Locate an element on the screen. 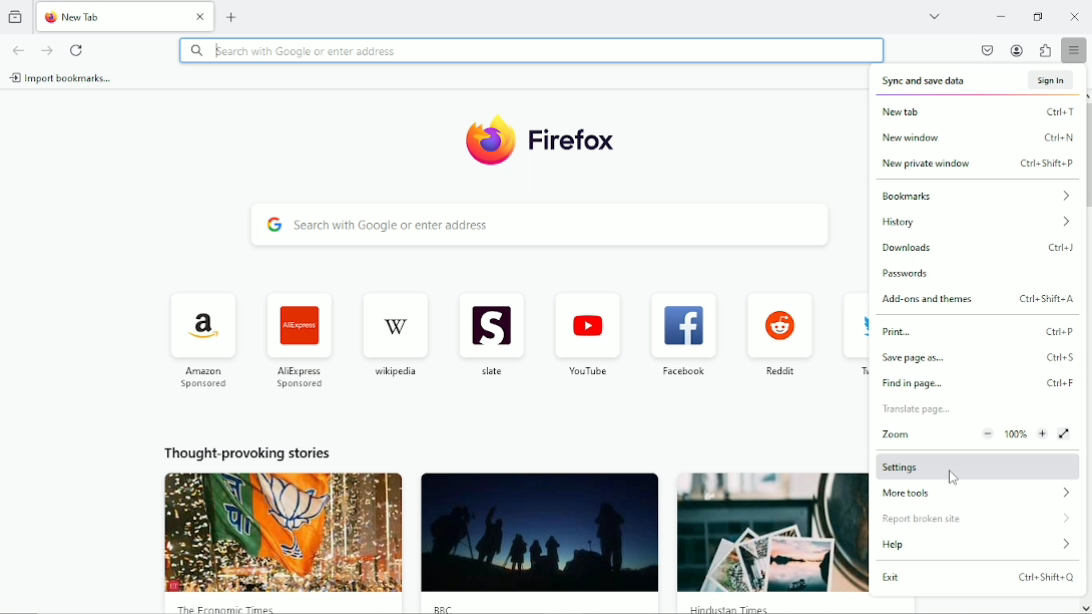 The height and width of the screenshot is (614, 1092). Search with google or enter address is located at coordinates (532, 48).